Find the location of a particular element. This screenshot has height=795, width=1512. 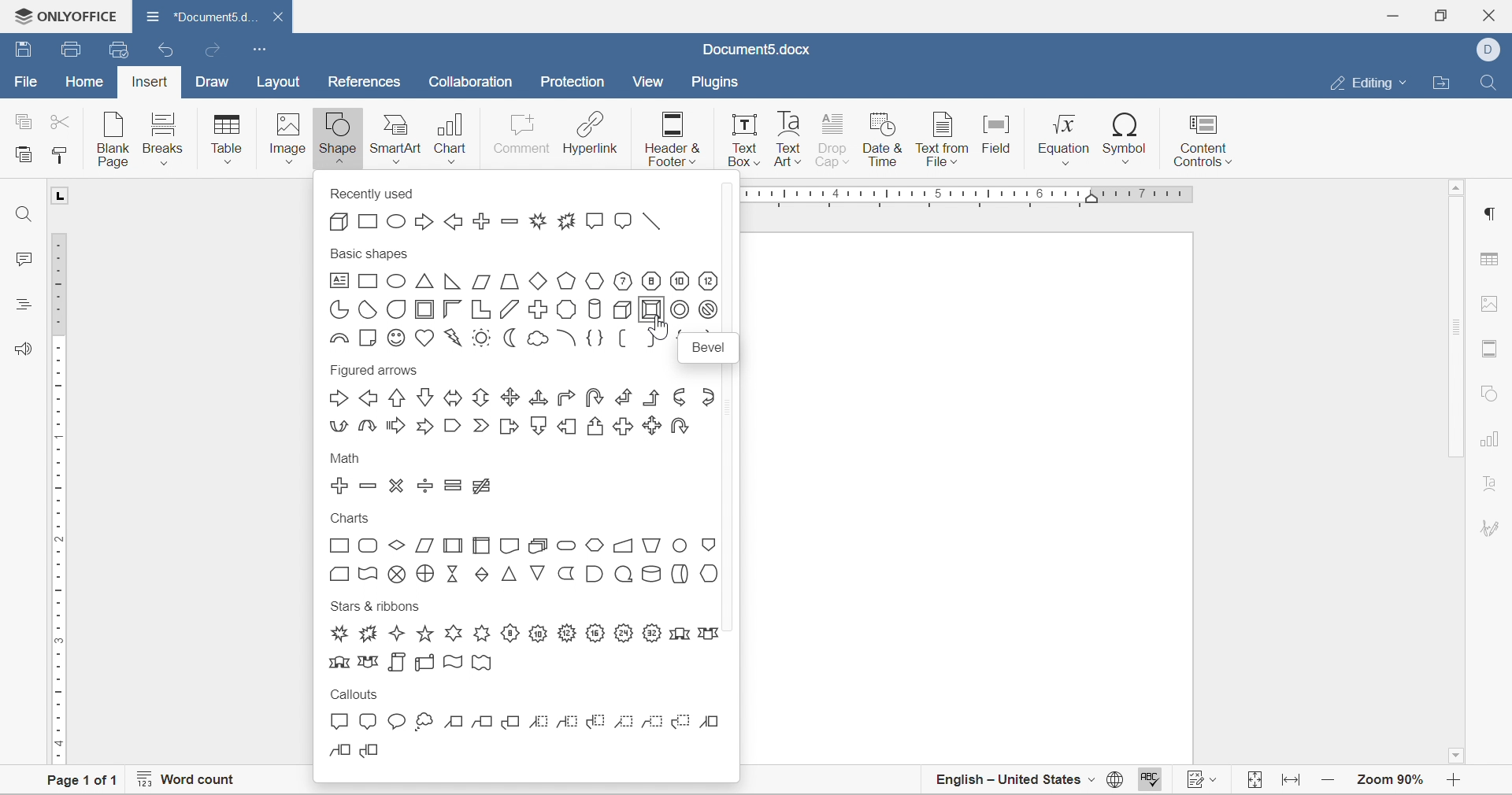

basic shapes is located at coordinates (522, 301).